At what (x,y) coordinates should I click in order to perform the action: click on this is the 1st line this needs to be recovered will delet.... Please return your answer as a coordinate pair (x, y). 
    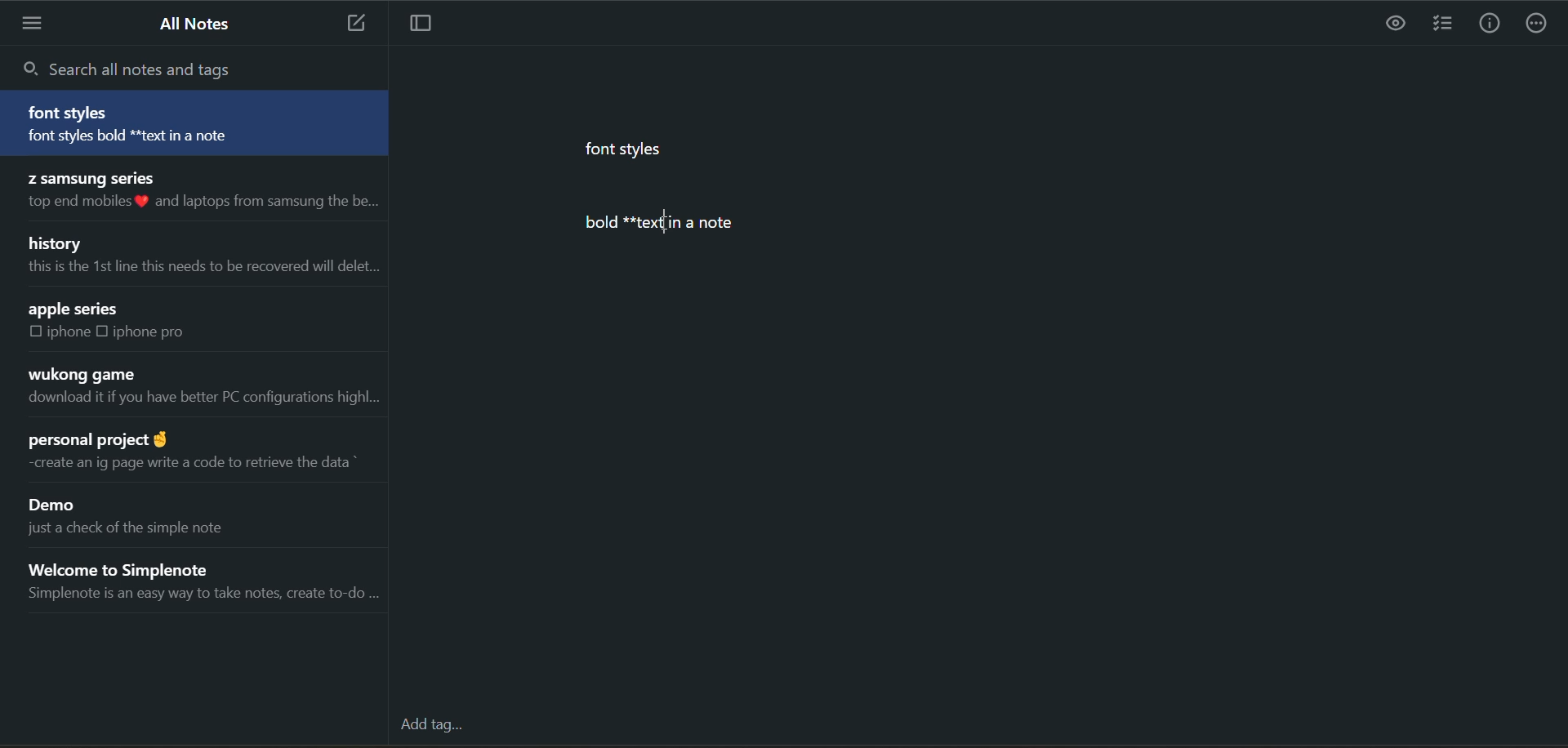
    Looking at the image, I should click on (200, 267).